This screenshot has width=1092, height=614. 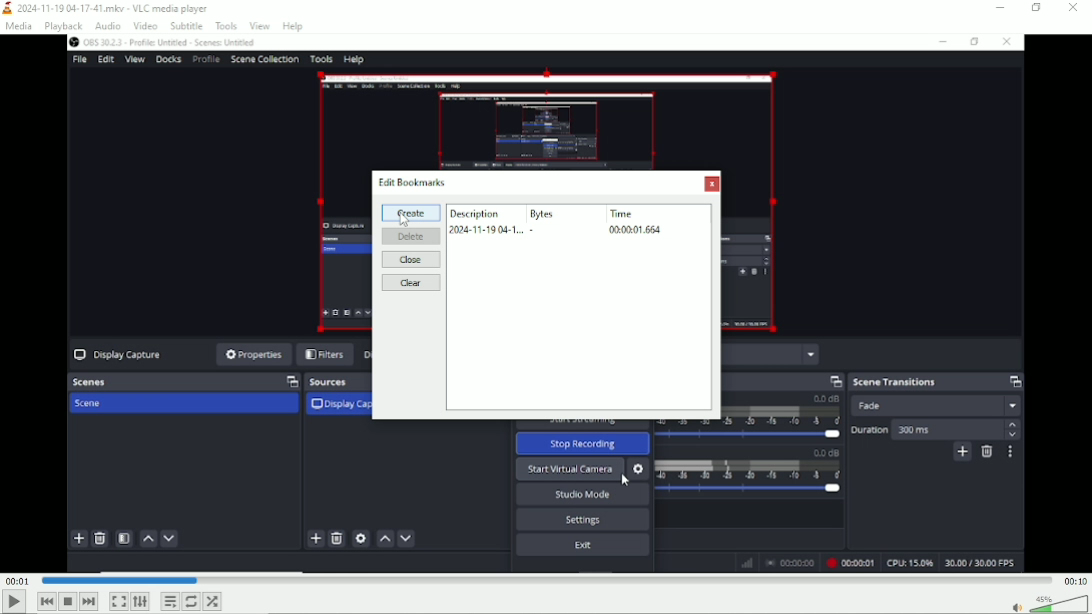 What do you see at coordinates (410, 259) in the screenshot?
I see `Close` at bounding box center [410, 259].